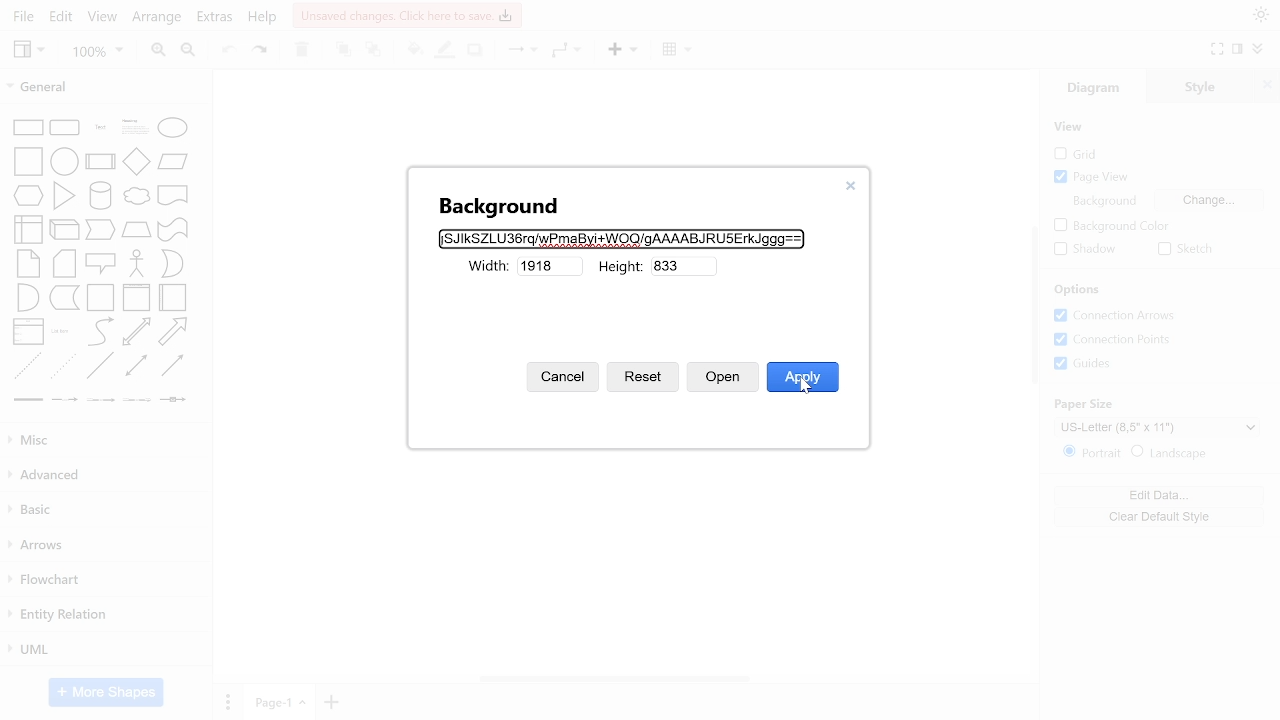 This screenshot has width=1280, height=720. I want to click on advanced, so click(104, 474).